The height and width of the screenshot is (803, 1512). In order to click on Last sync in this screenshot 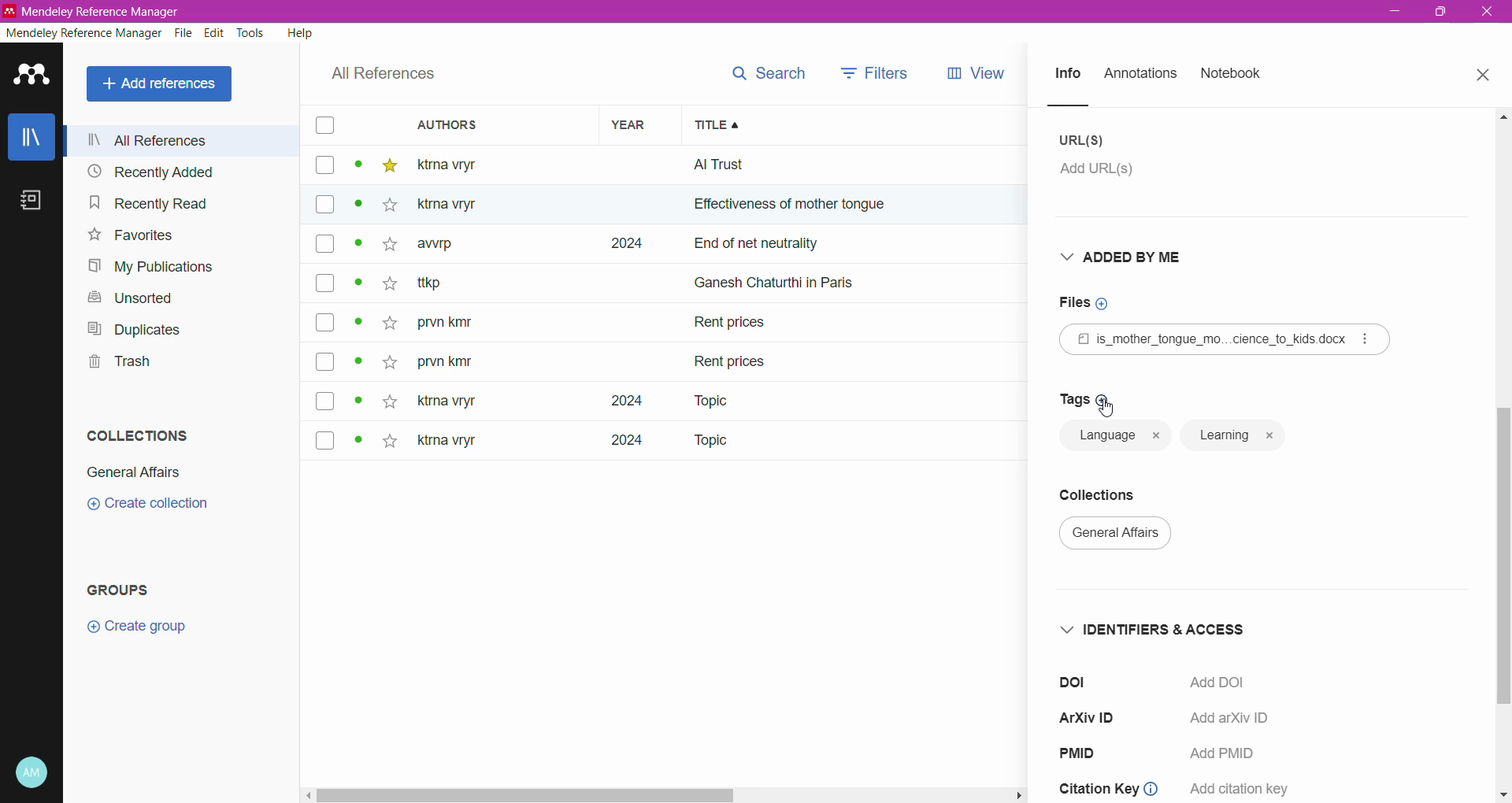, I will do `click(31, 710)`.